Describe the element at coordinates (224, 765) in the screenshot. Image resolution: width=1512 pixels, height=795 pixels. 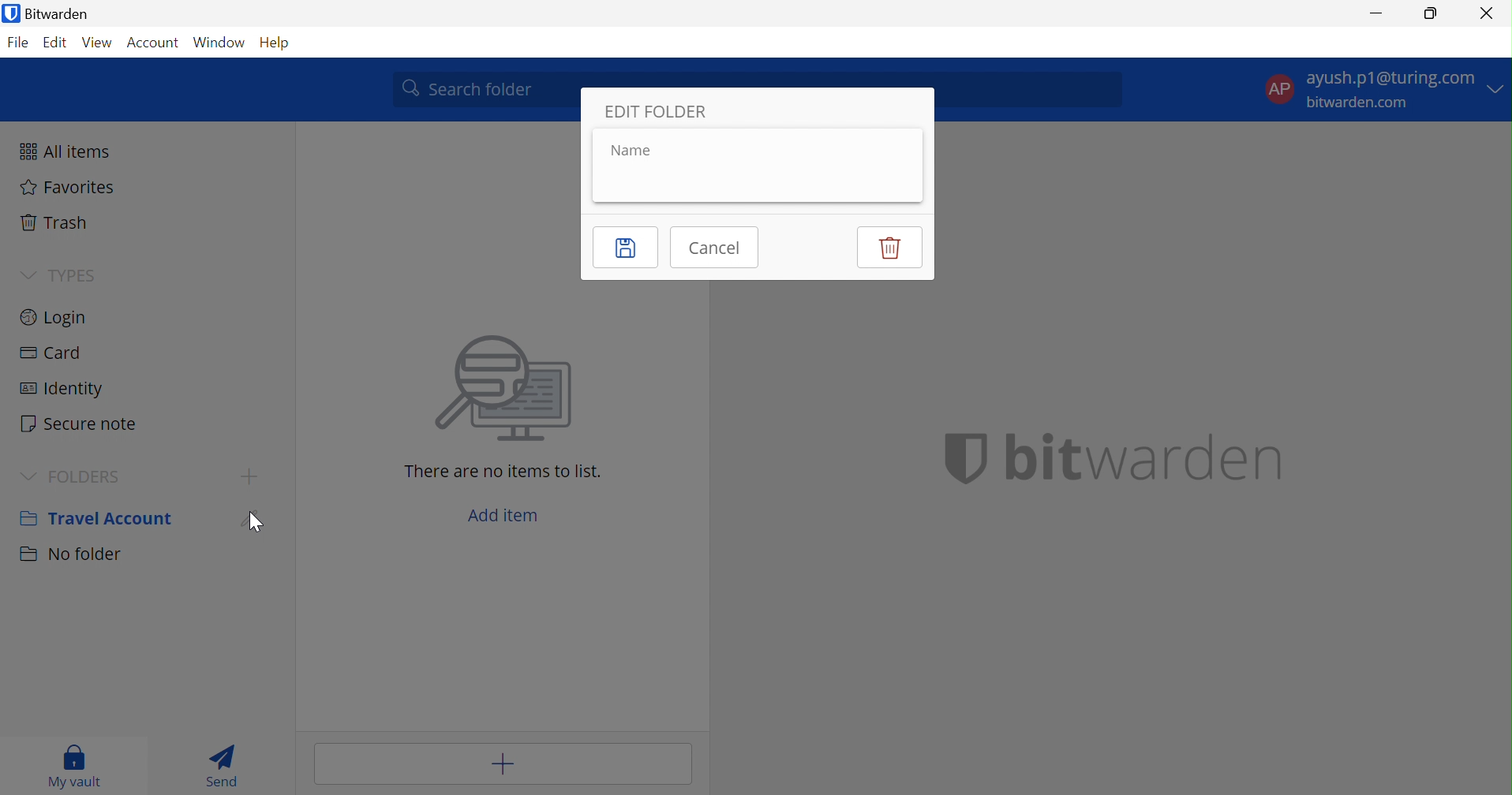
I see `Send` at that location.